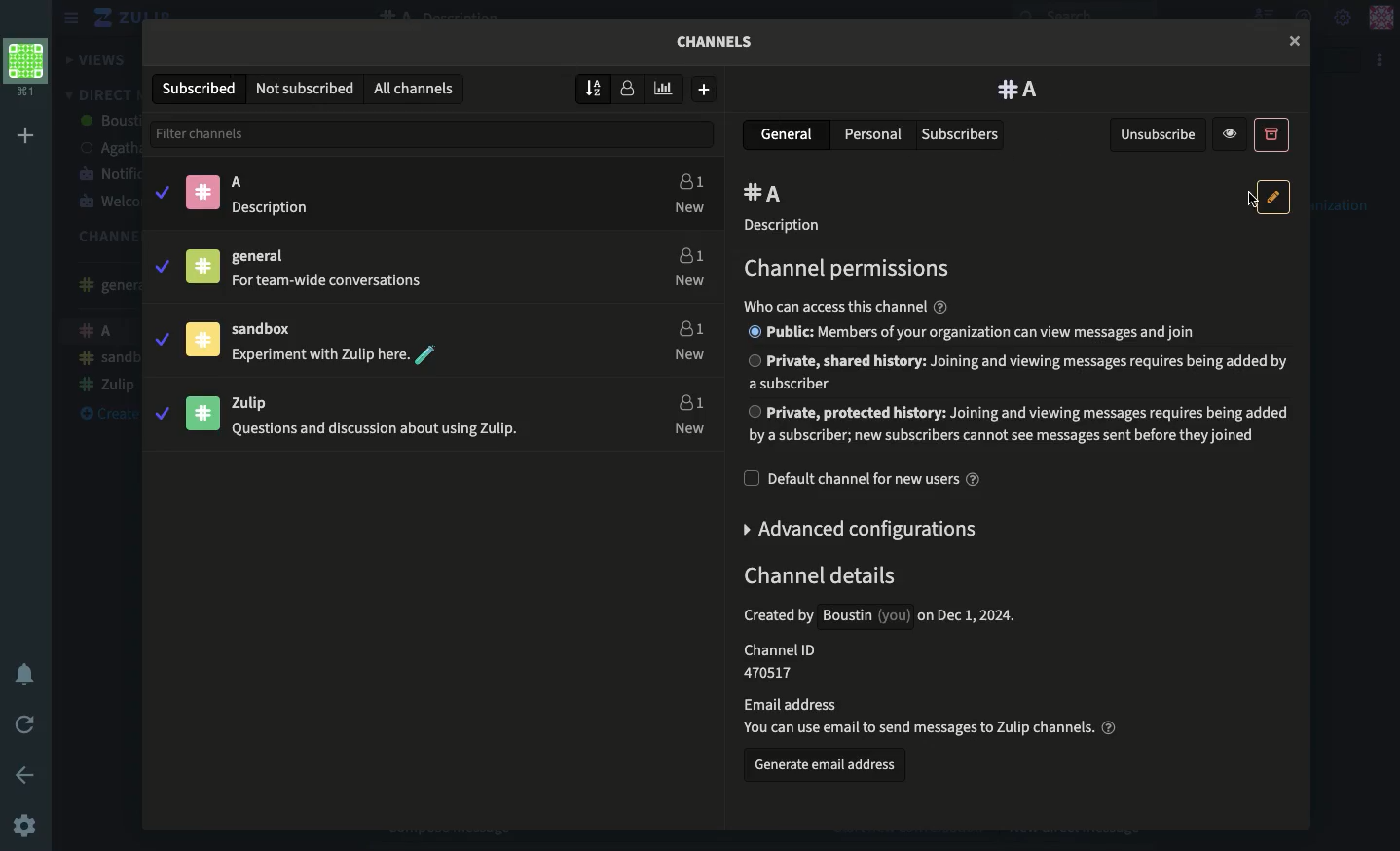 Image resolution: width=1400 pixels, height=851 pixels. I want to click on help, so click(940, 307).